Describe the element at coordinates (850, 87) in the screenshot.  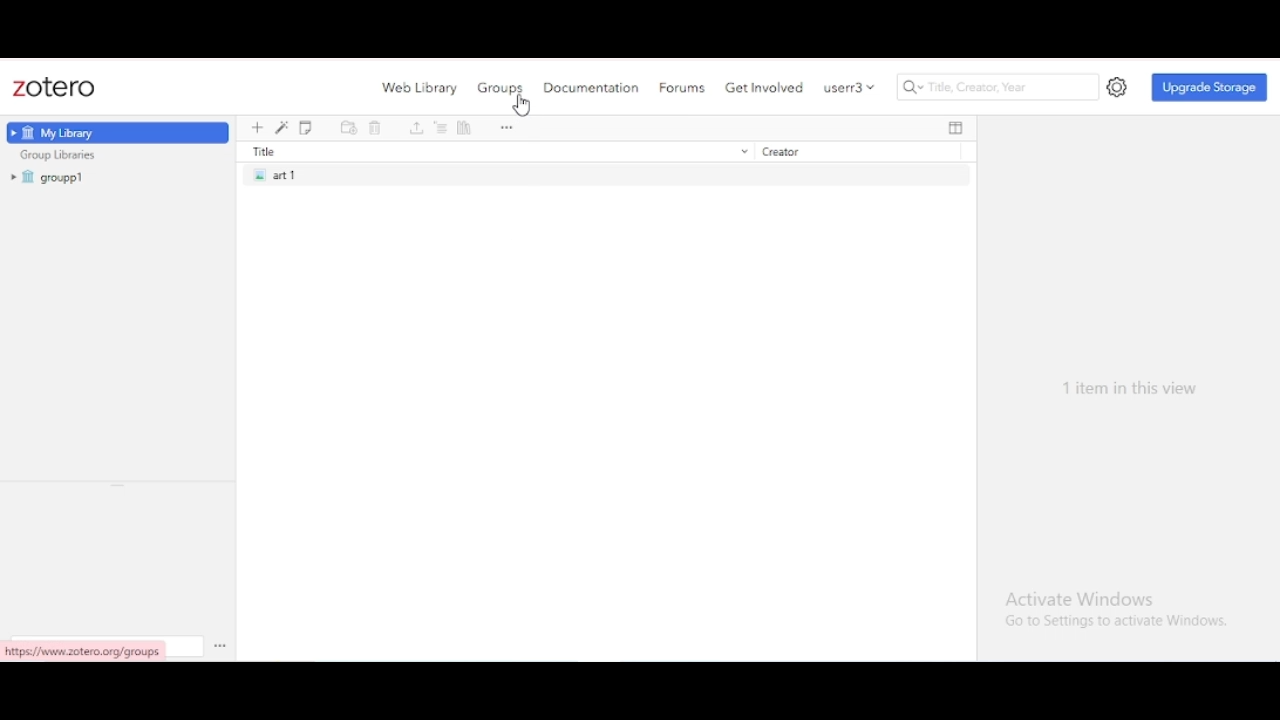
I see `profile` at that location.